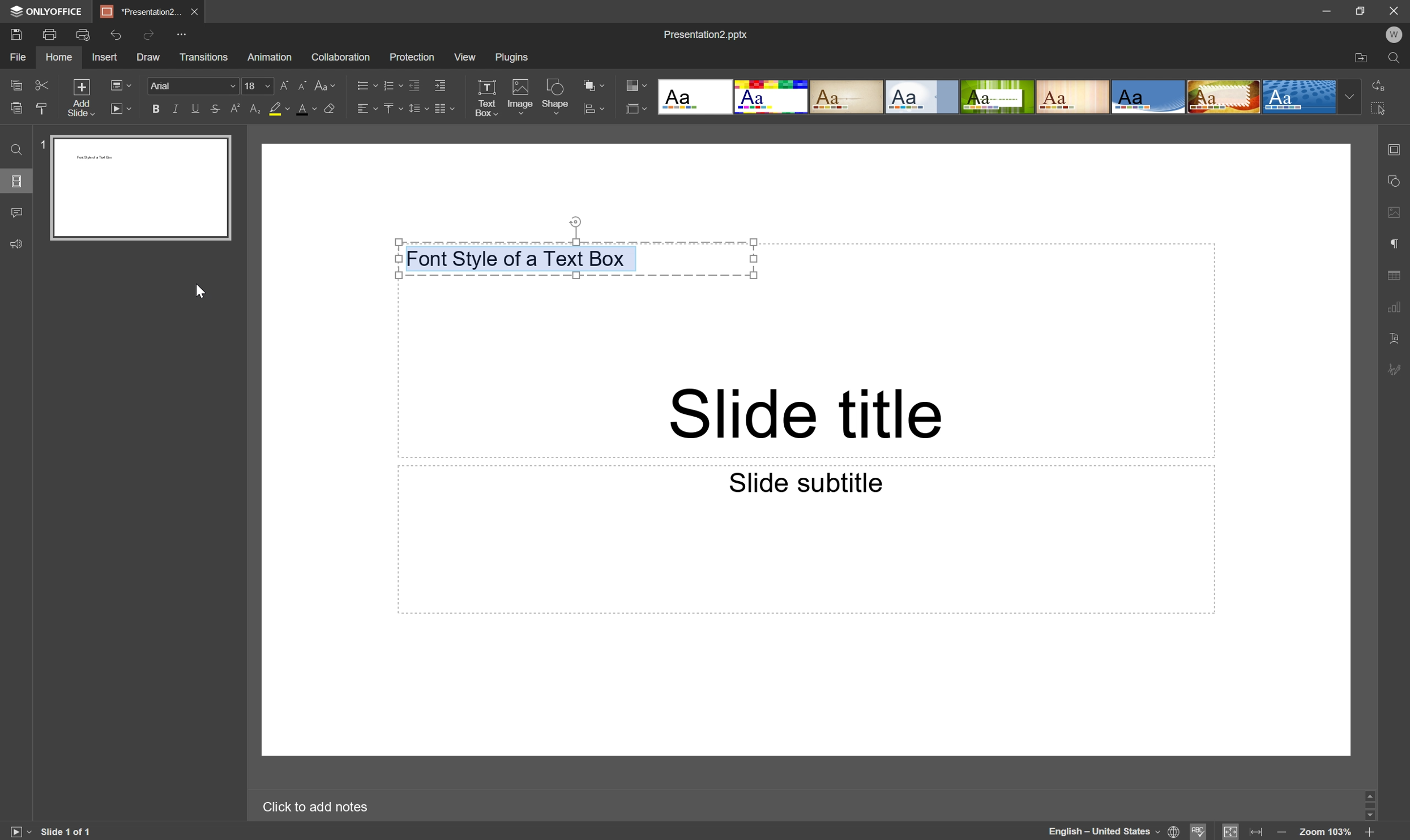 This screenshot has height=840, width=1410. What do you see at coordinates (636, 85) in the screenshot?
I see `Change color theme` at bounding box center [636, 85].